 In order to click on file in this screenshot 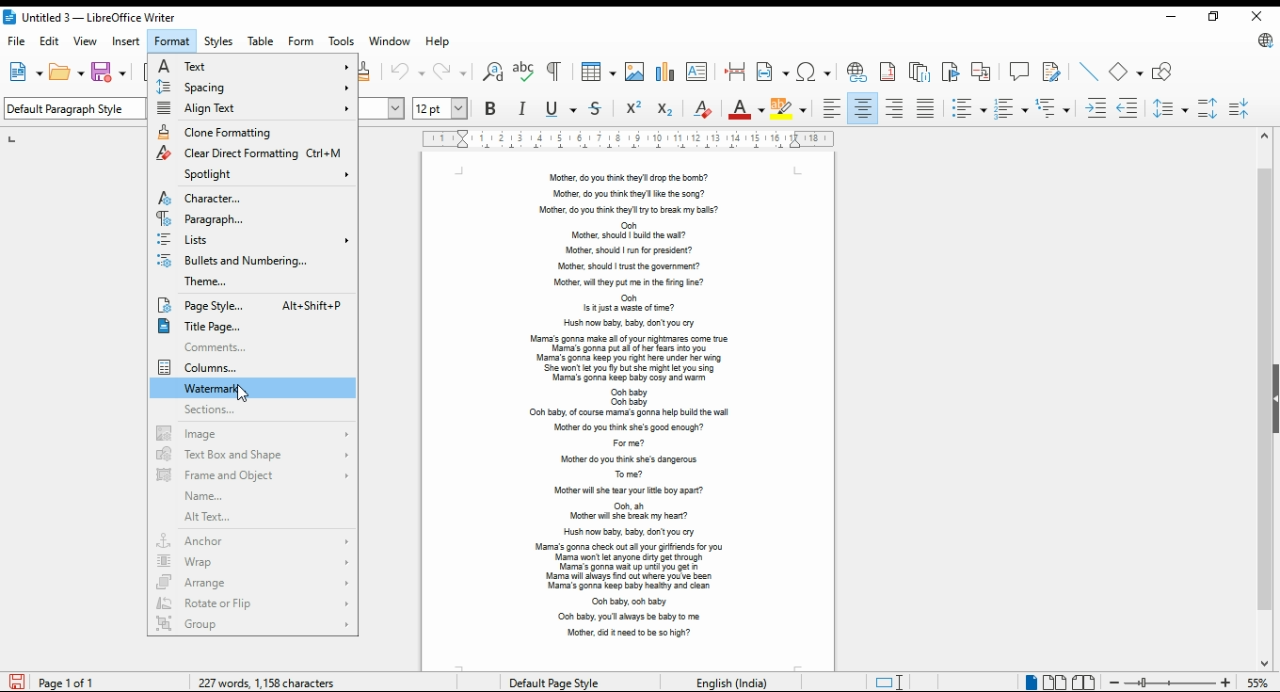, I will do `click(17, 43)`.